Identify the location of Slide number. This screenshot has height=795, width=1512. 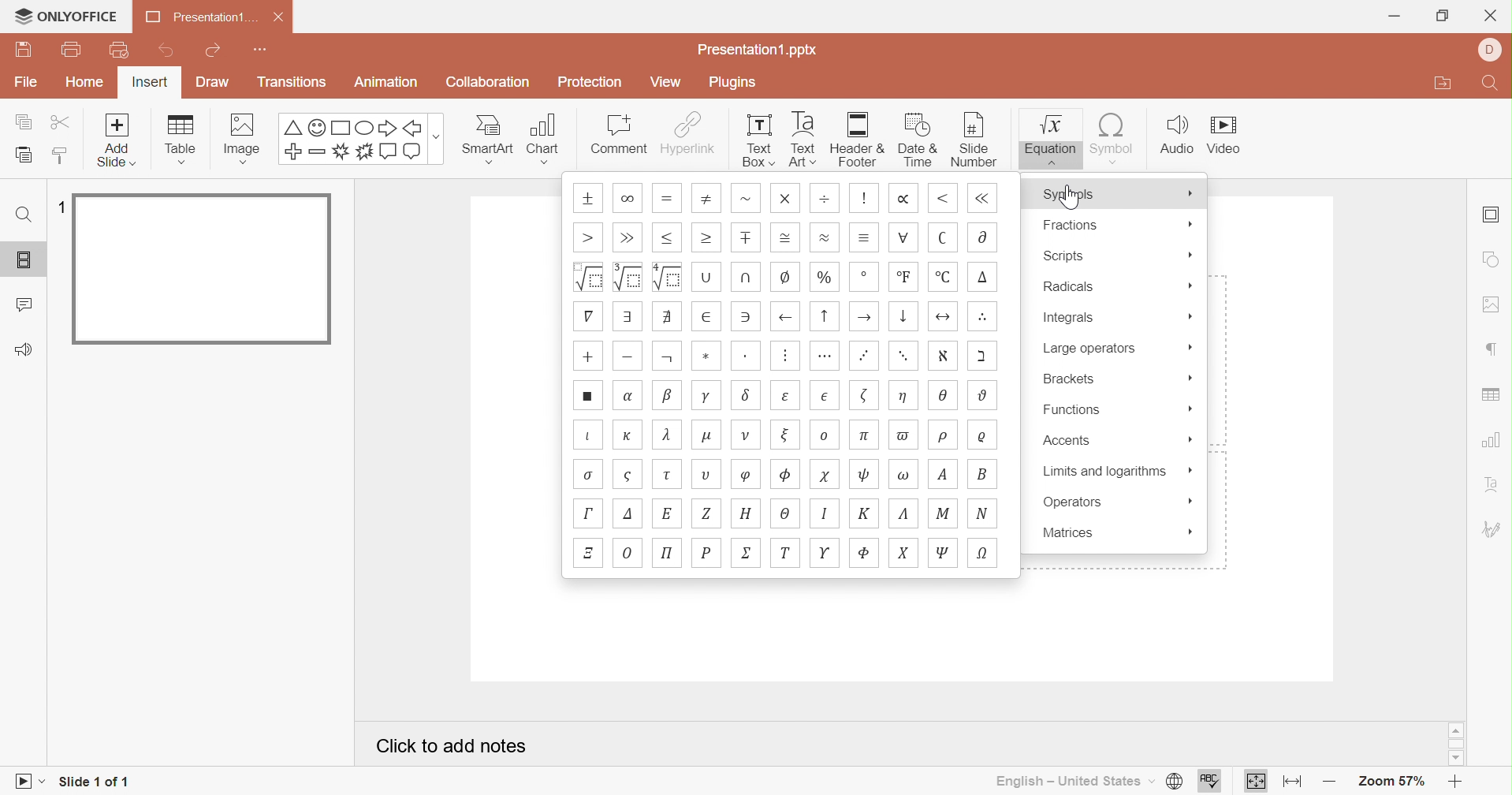
(977, 139).